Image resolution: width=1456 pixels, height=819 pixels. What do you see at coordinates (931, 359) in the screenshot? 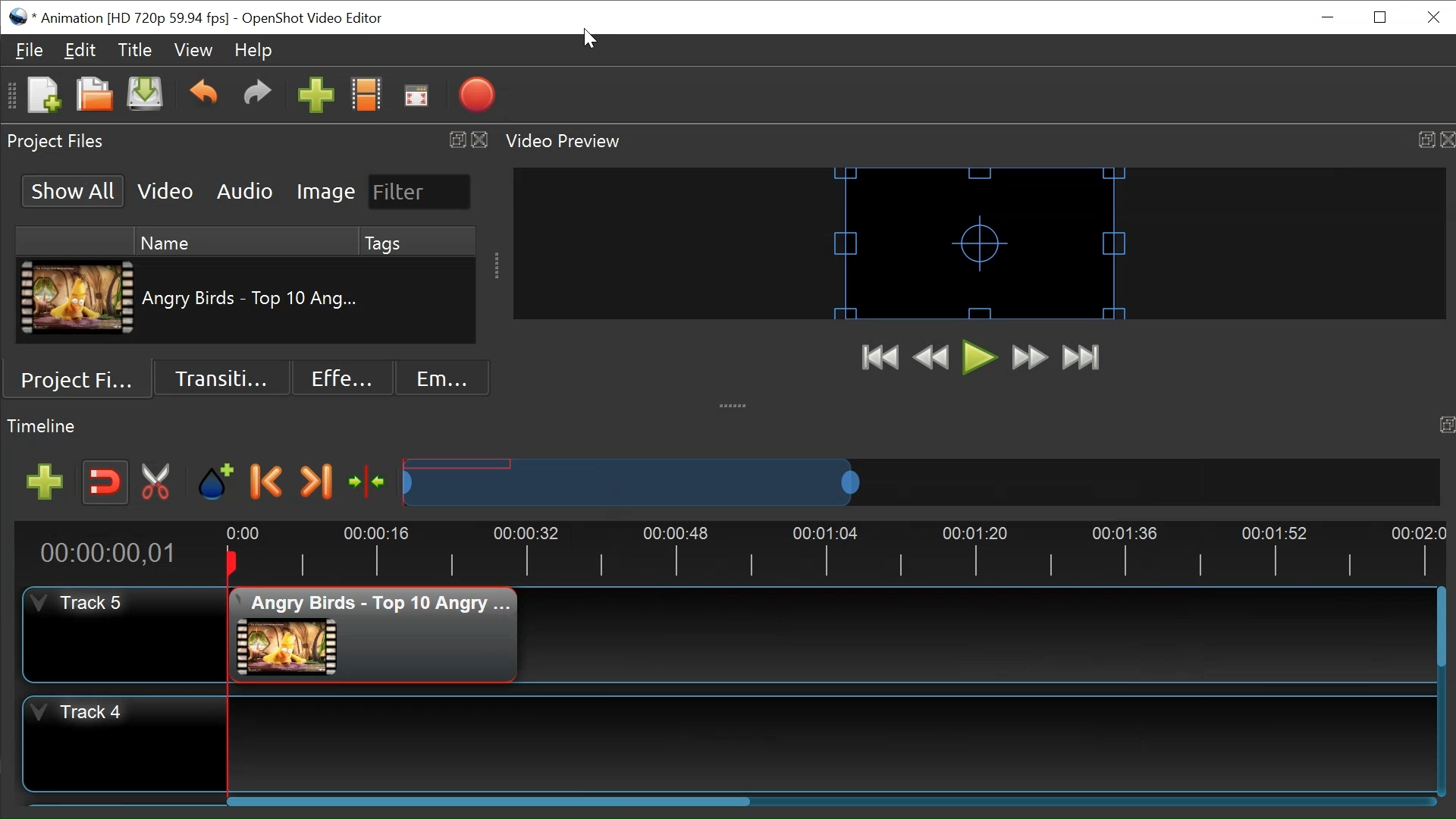
I see `Rewind` at bounding box center [931, 359].